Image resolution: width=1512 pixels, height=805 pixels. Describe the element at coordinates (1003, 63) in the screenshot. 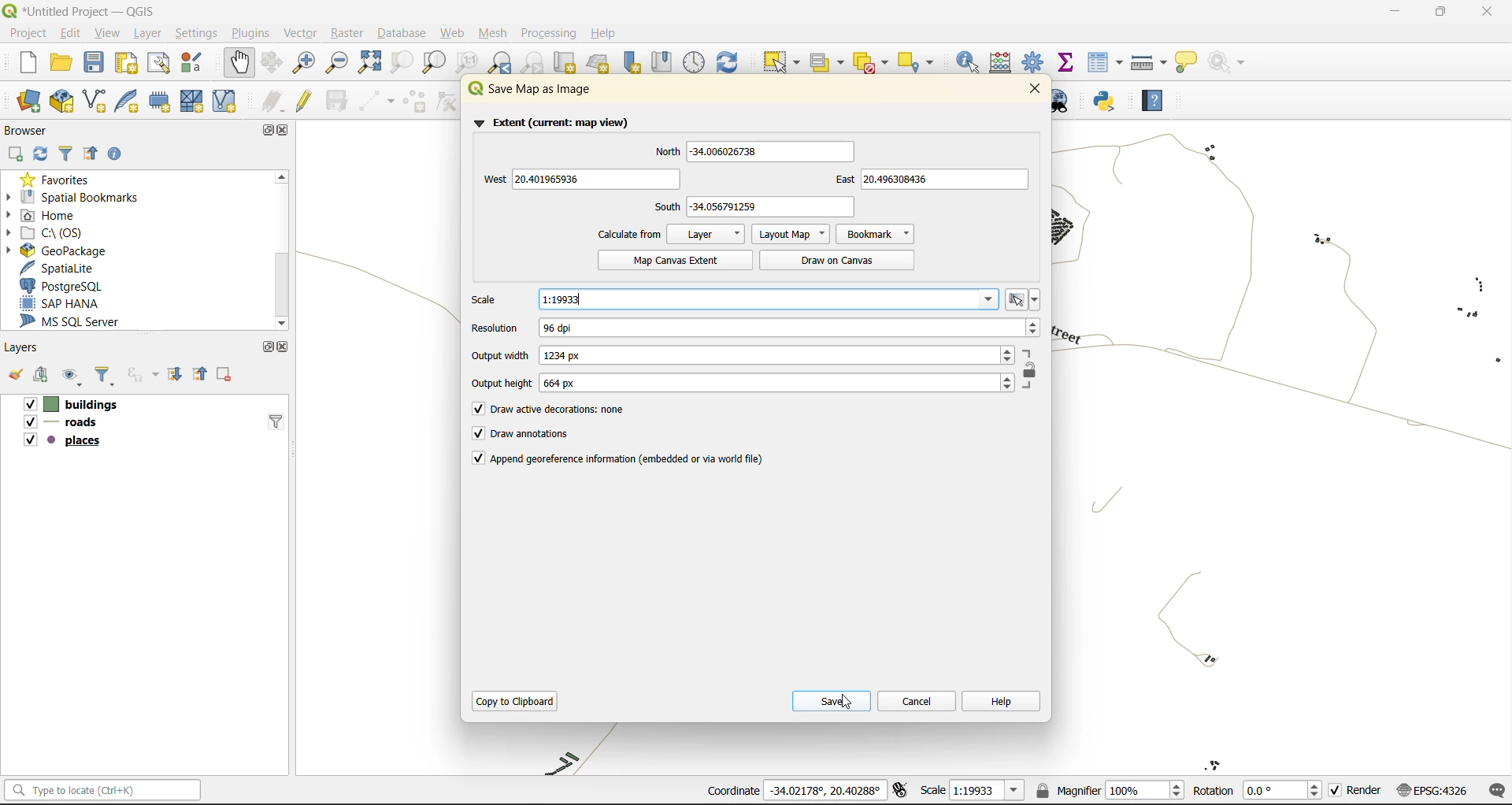

I see `calculator` at that location.